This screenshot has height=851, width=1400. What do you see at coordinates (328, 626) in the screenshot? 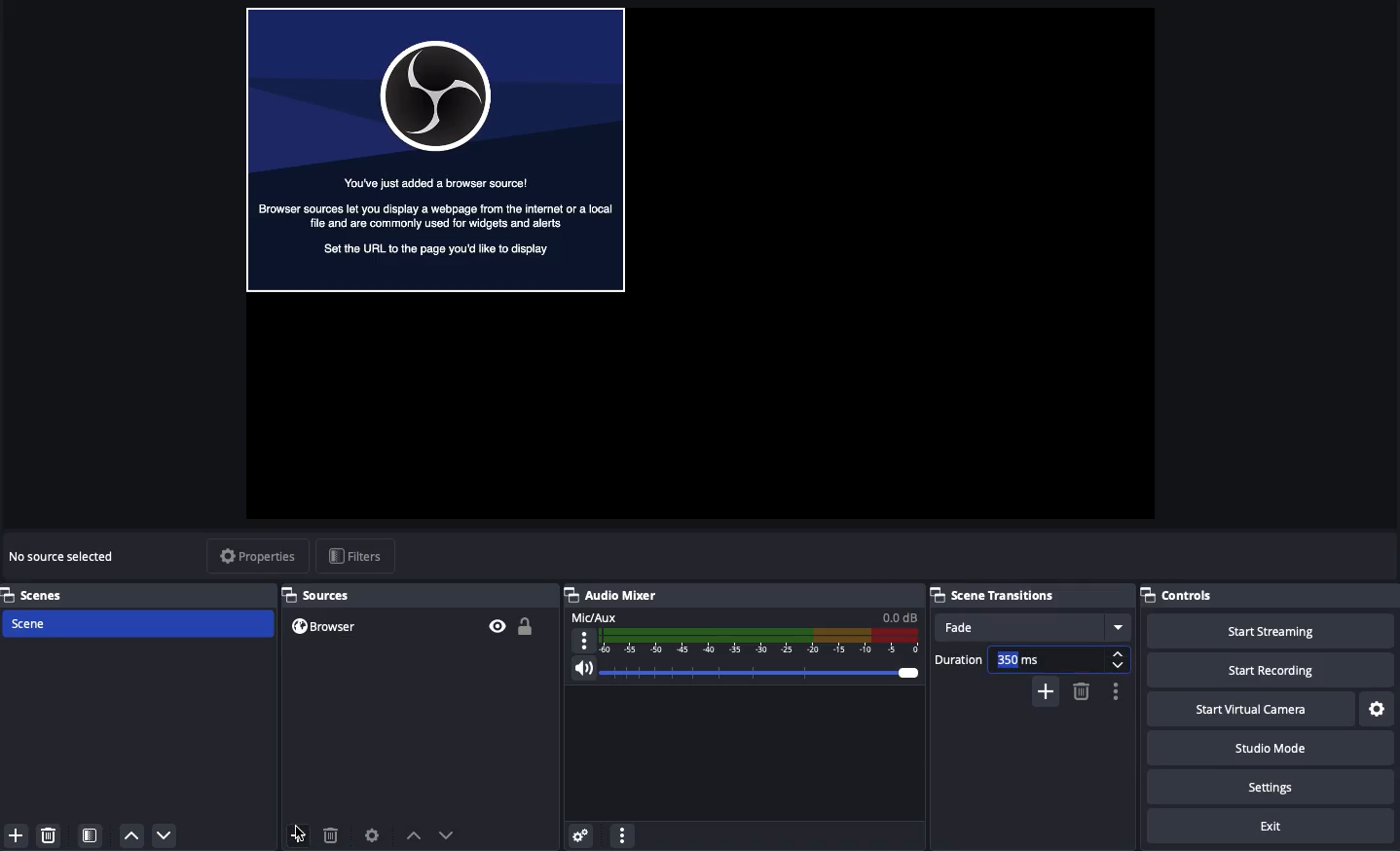
I see `Browser` at bounding box center [328, 626].